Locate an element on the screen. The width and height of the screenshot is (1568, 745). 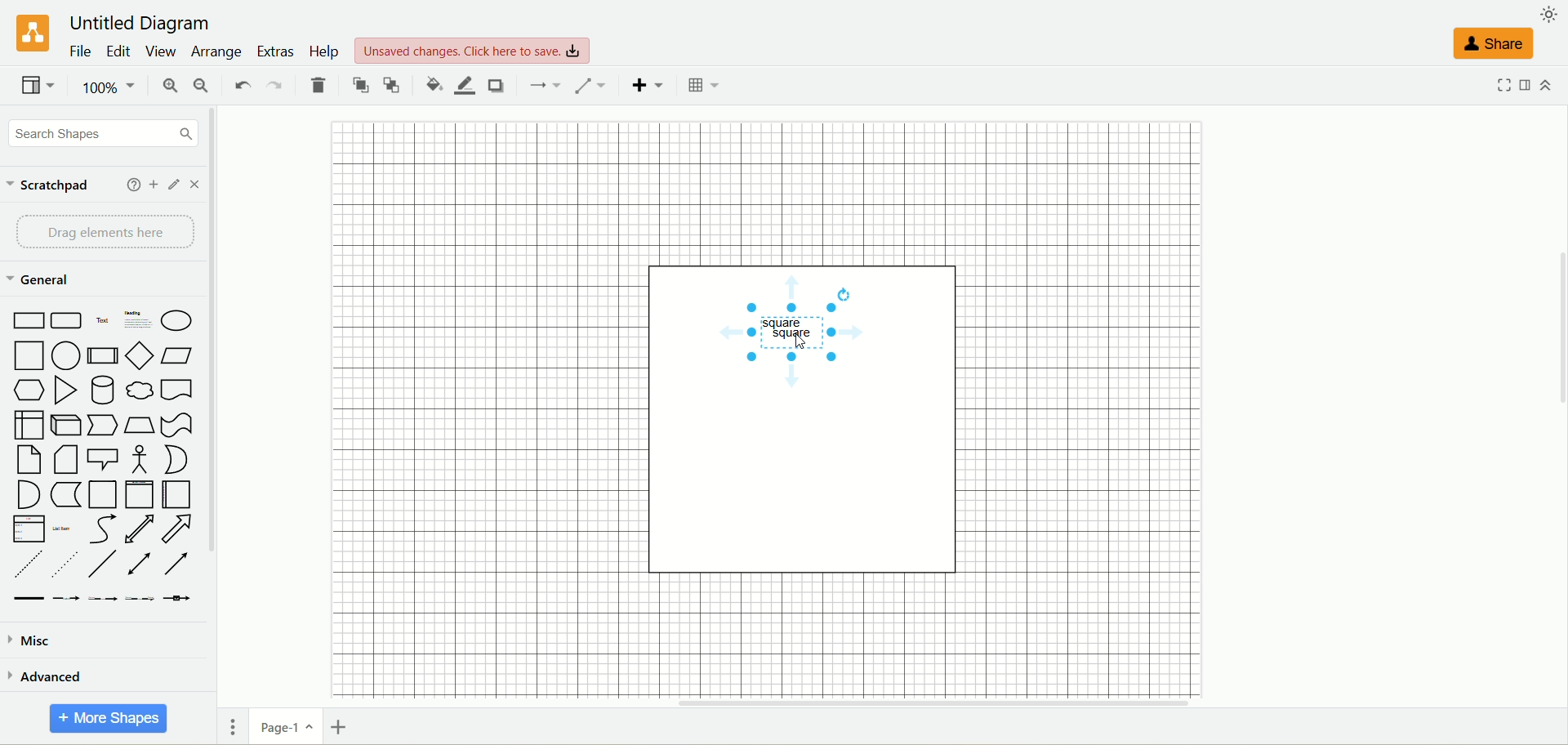
fullscreen is located at coordinates (1502, 85).